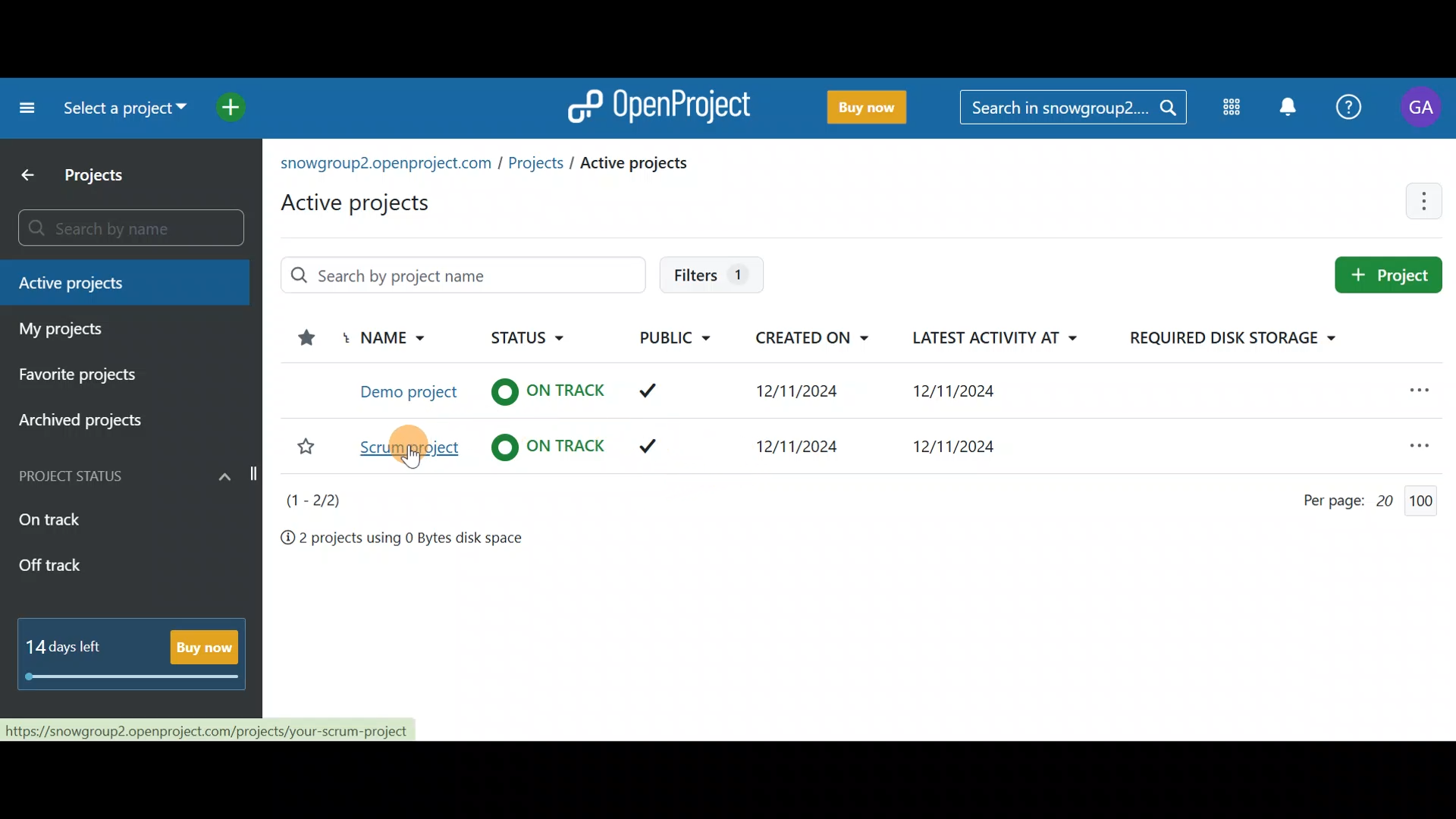  Describe the element at coordinates (24, 108) in the screenshot. I see `Collapse project menu` at that location.